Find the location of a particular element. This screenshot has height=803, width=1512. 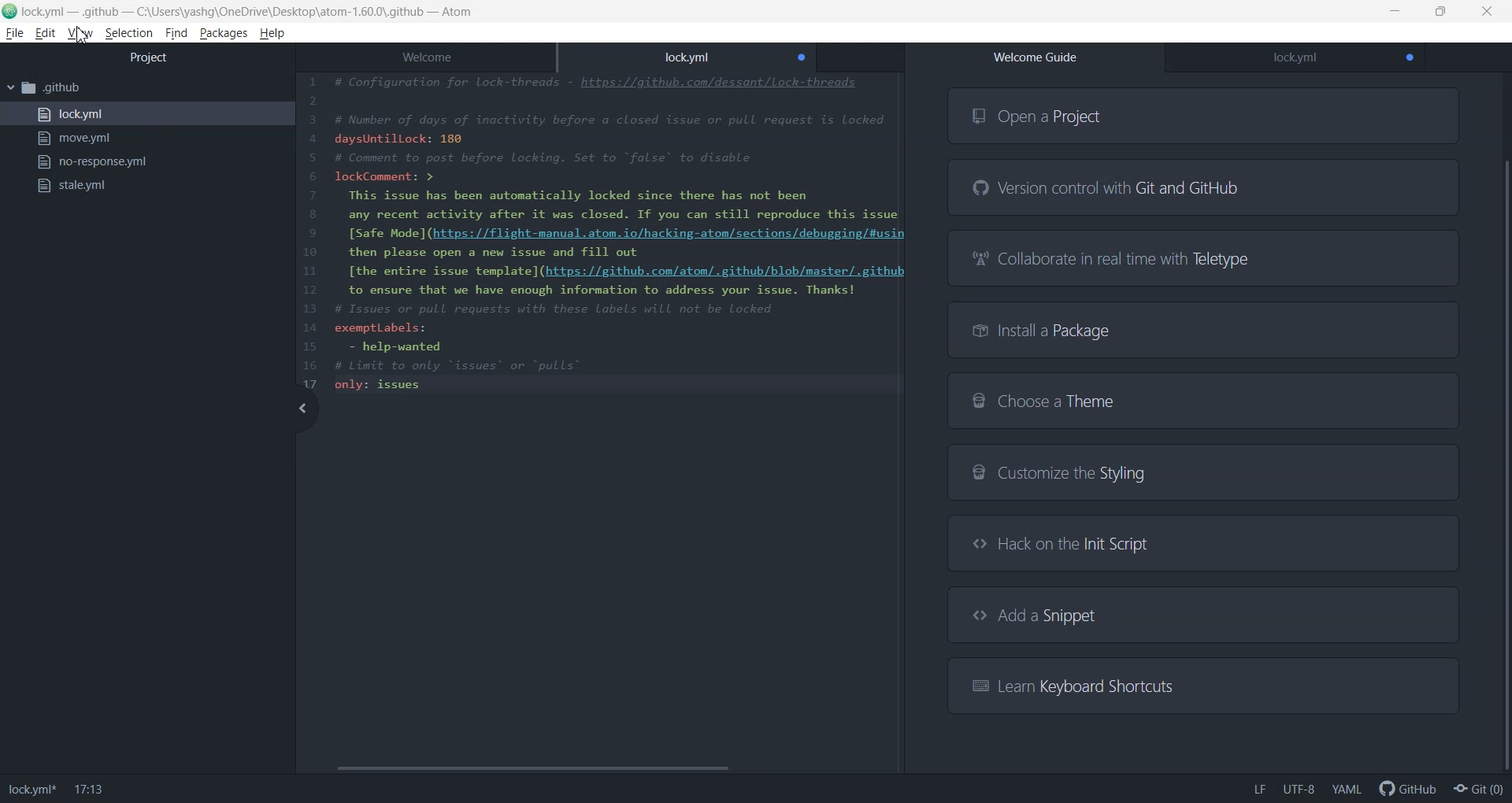

# Configuration for lock-threads - https://qgithub.com/dessant/Lock-threads

# Number of days of inactivity before a closed issue or pull request is Locked

daysUntillock: 180

# Comment to post before Locking. Set to “false to disable

lockComment: >
This issue has been automatically locked since there has not been
any recent activity after it was closed. If you can still reproduce this issue
[Safe Mode] (https: //flight-manual.atom.io/hacking-atom/sections/debugging/#usin
then please open a new issue and fill out
[the entire issue template](https://github.com/atom/.github/blob/master/.github
to ensure that we have enough information to address your issue. Thanks!

# Issues or pull requests with these Labels will not be Locked

exemptLabels:
- help-wanted

# Limit to only “issues” or “pulls

only: issues is located at coordinates (604, 234).